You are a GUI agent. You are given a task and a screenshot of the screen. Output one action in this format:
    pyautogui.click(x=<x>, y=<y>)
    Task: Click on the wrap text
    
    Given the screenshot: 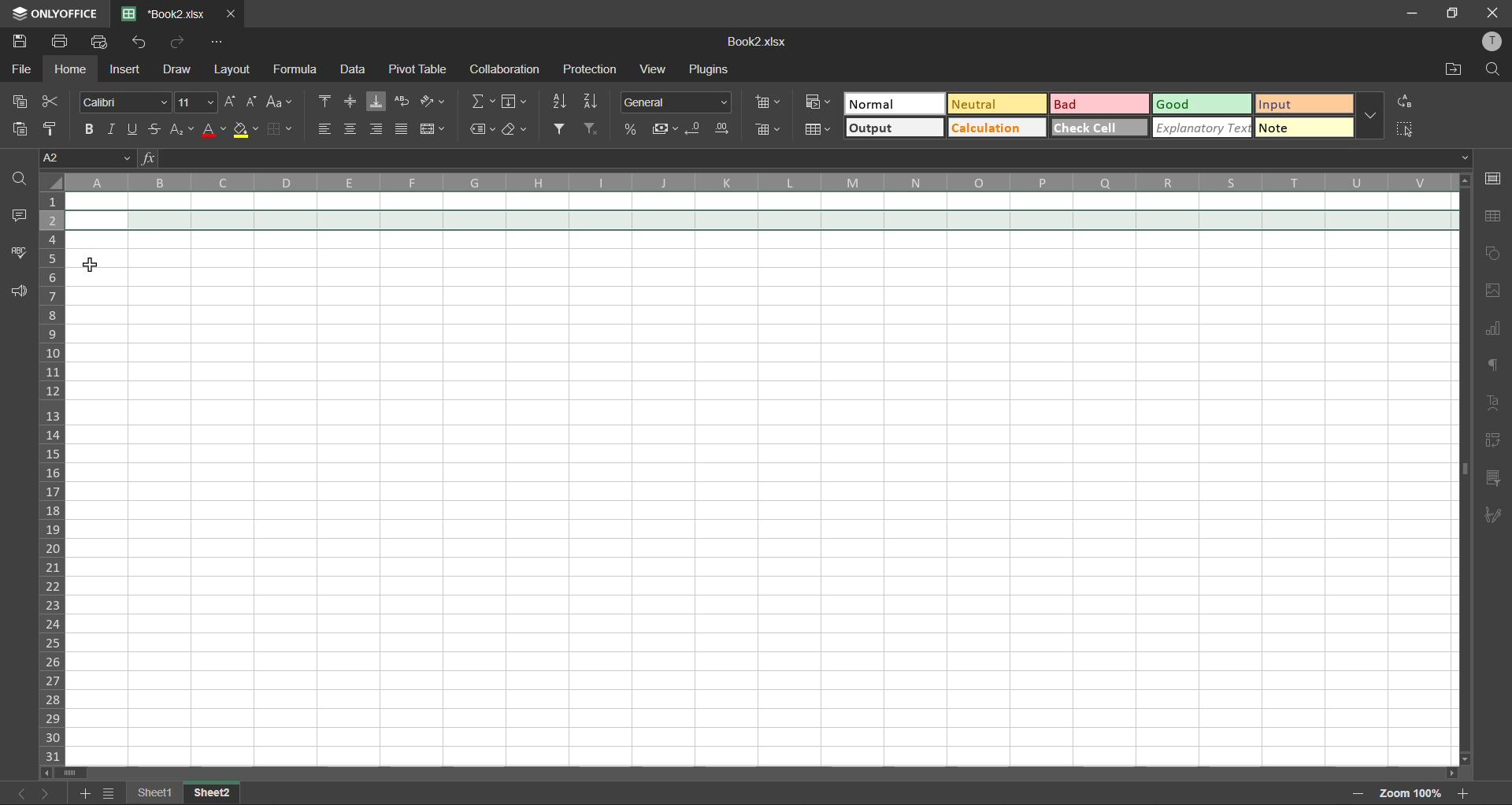 What is the action you would take?
    pyautogui.click(x=402, y=101)
    